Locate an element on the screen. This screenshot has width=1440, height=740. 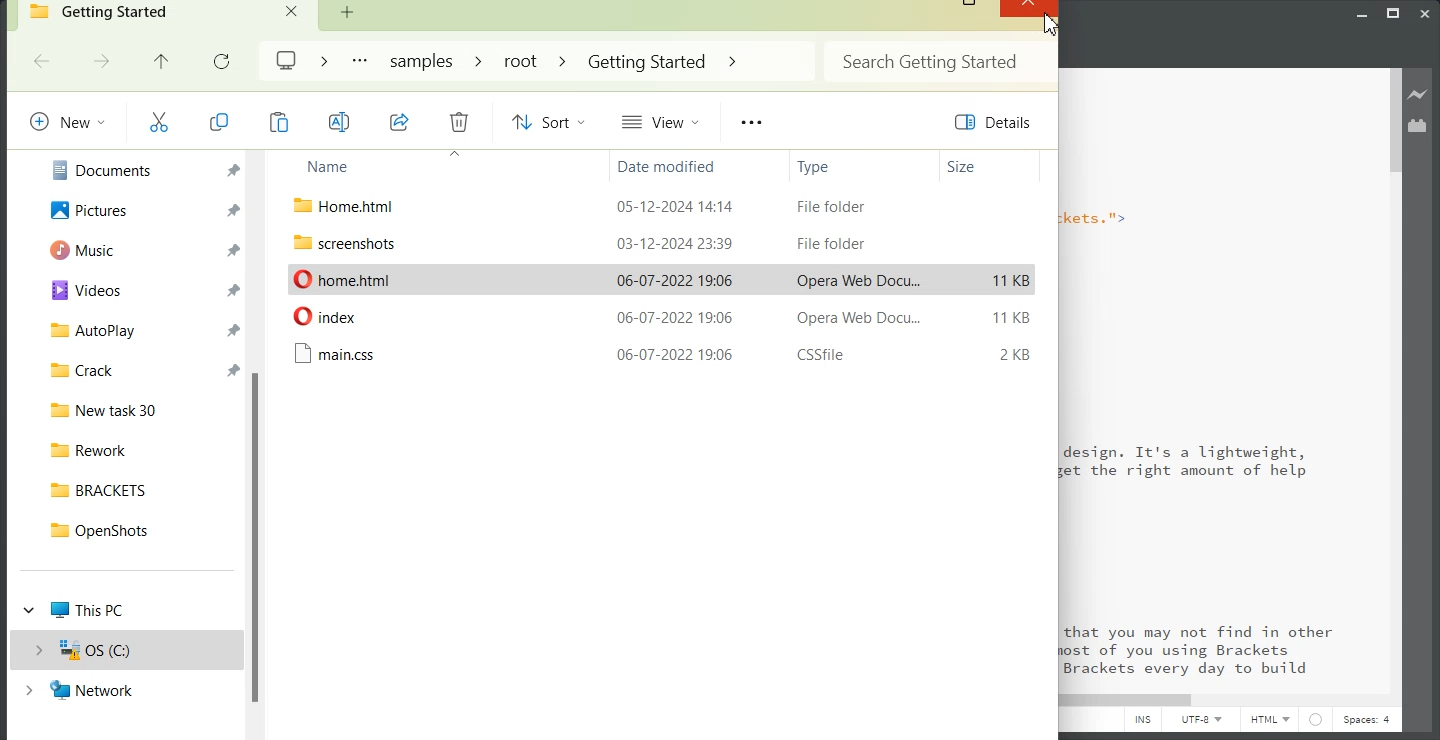
Size is located at coordinates (986, 167).